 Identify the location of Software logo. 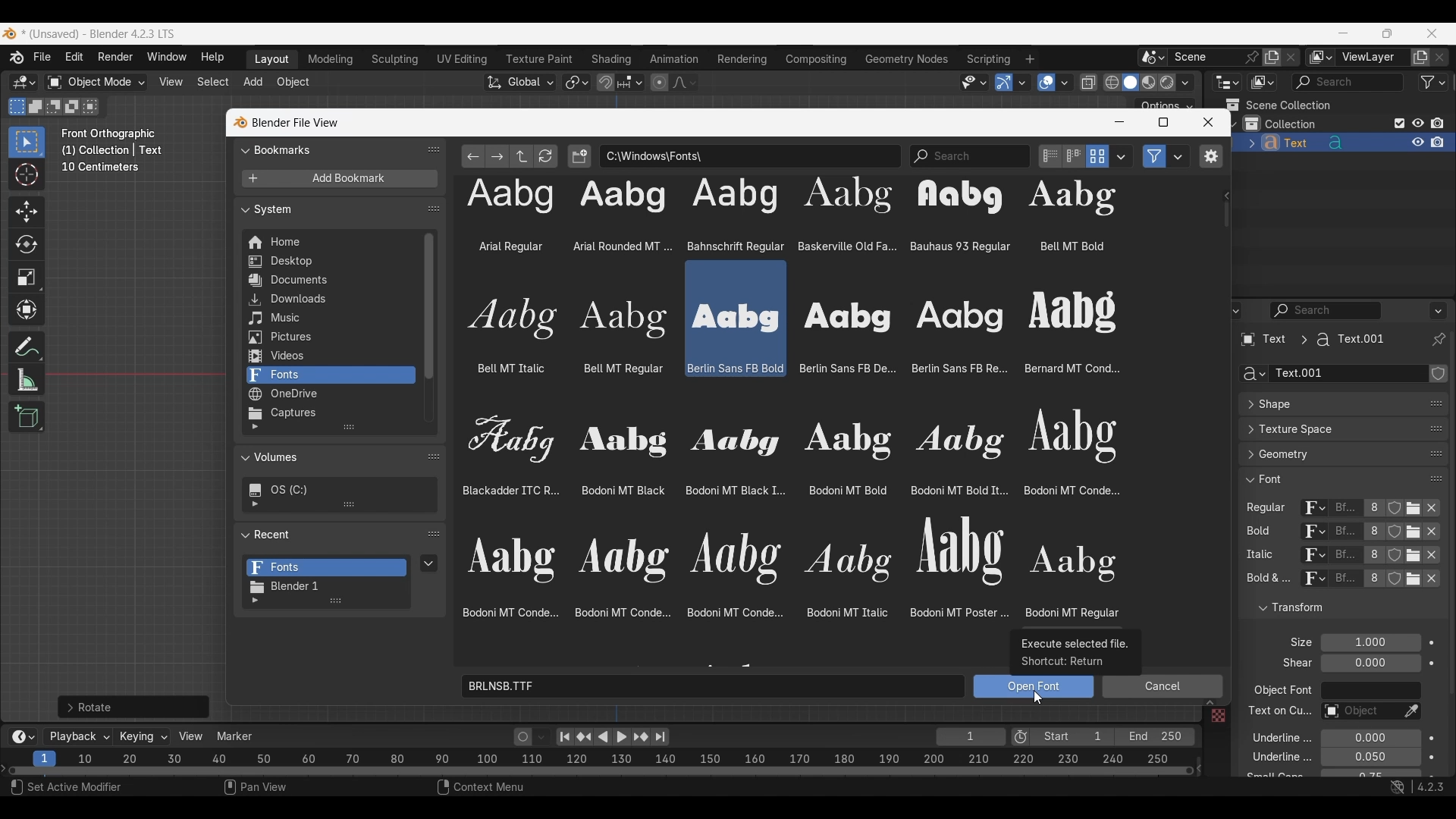
(9, 33).